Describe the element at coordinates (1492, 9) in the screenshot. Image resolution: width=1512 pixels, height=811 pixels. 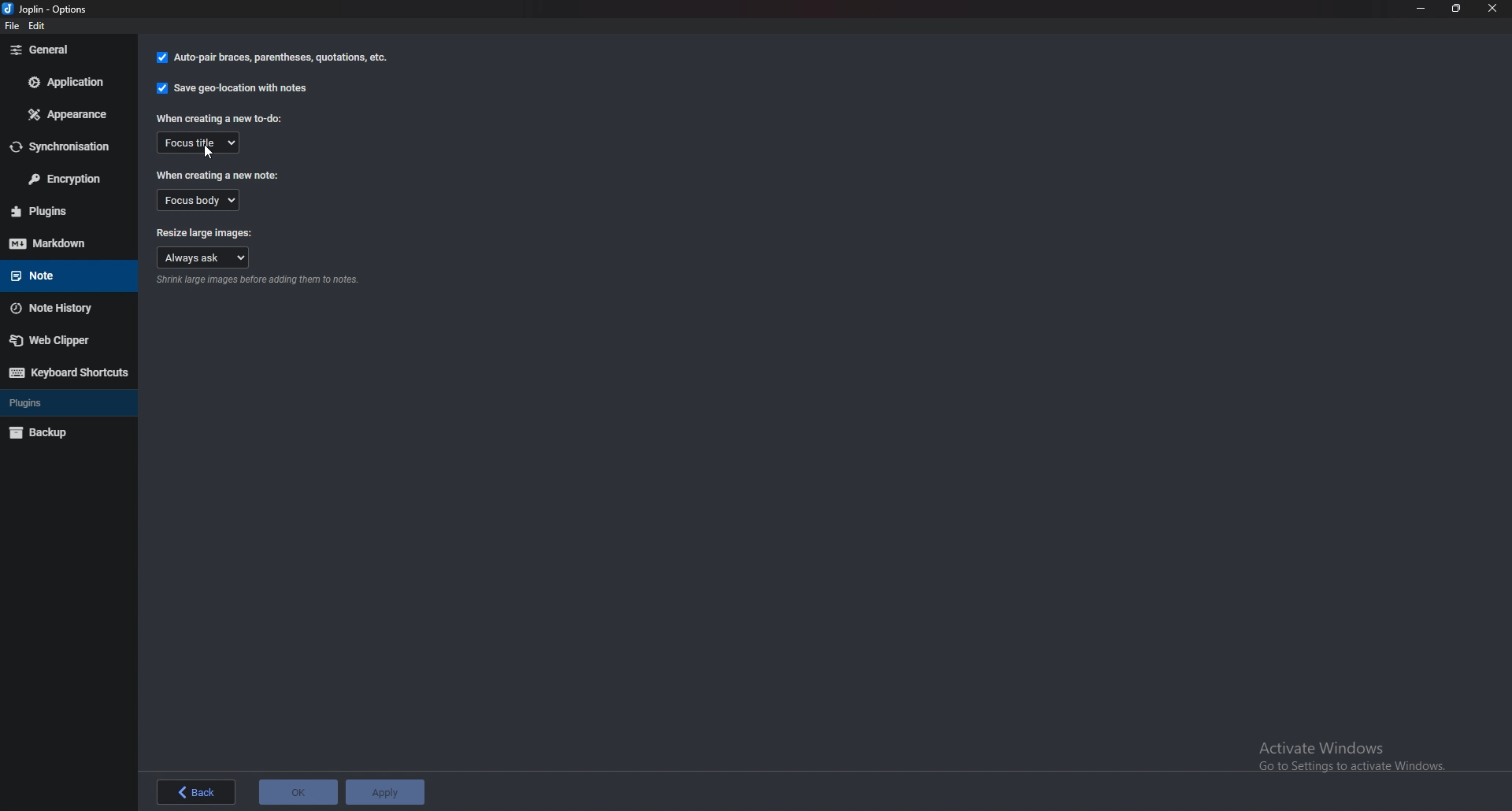
I see `close` at that location.